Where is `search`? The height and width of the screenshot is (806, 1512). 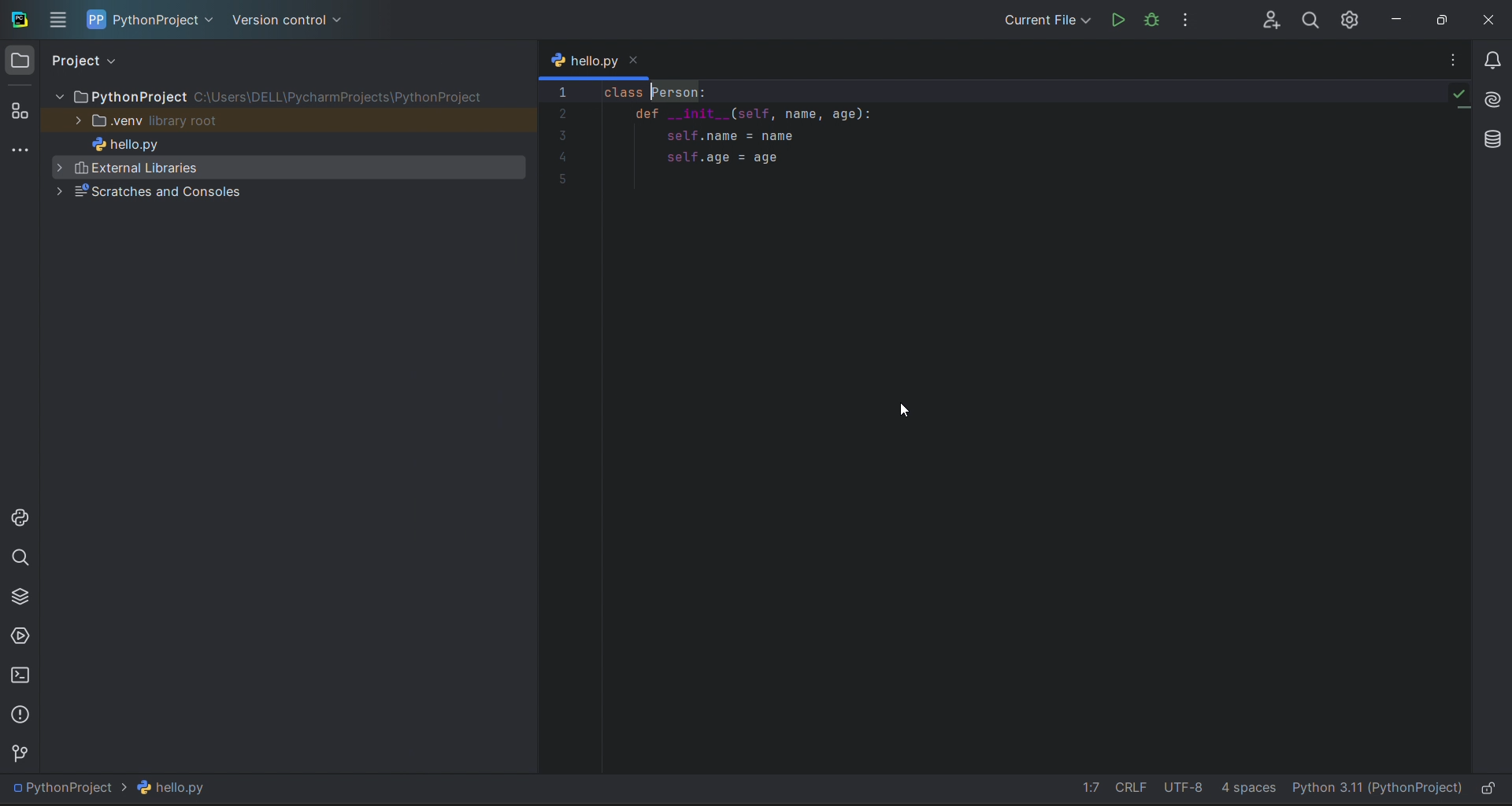 search is located at coordinates (1310, 19).